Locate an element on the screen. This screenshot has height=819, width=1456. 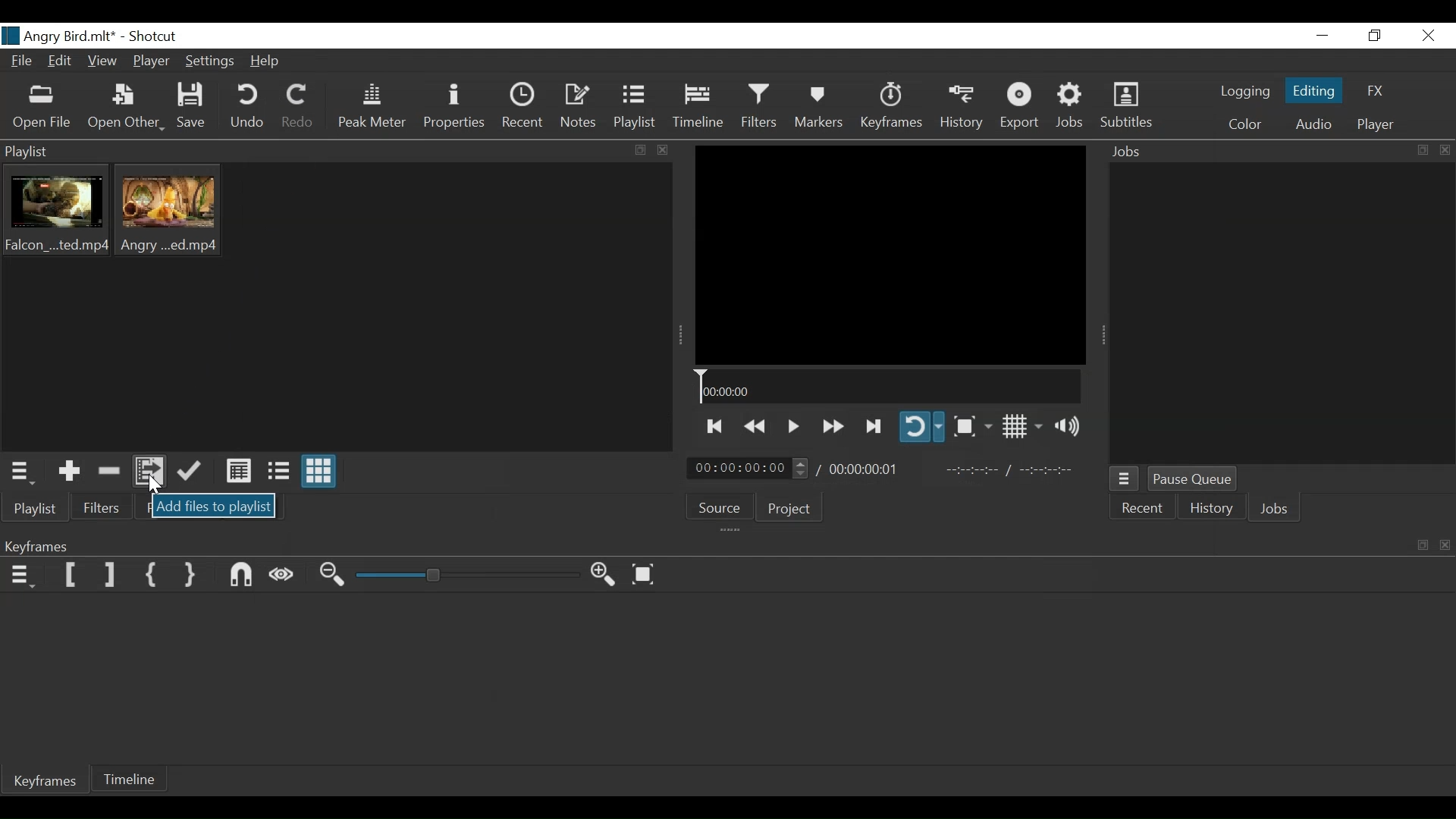
File is located at coordinates (18, 62).